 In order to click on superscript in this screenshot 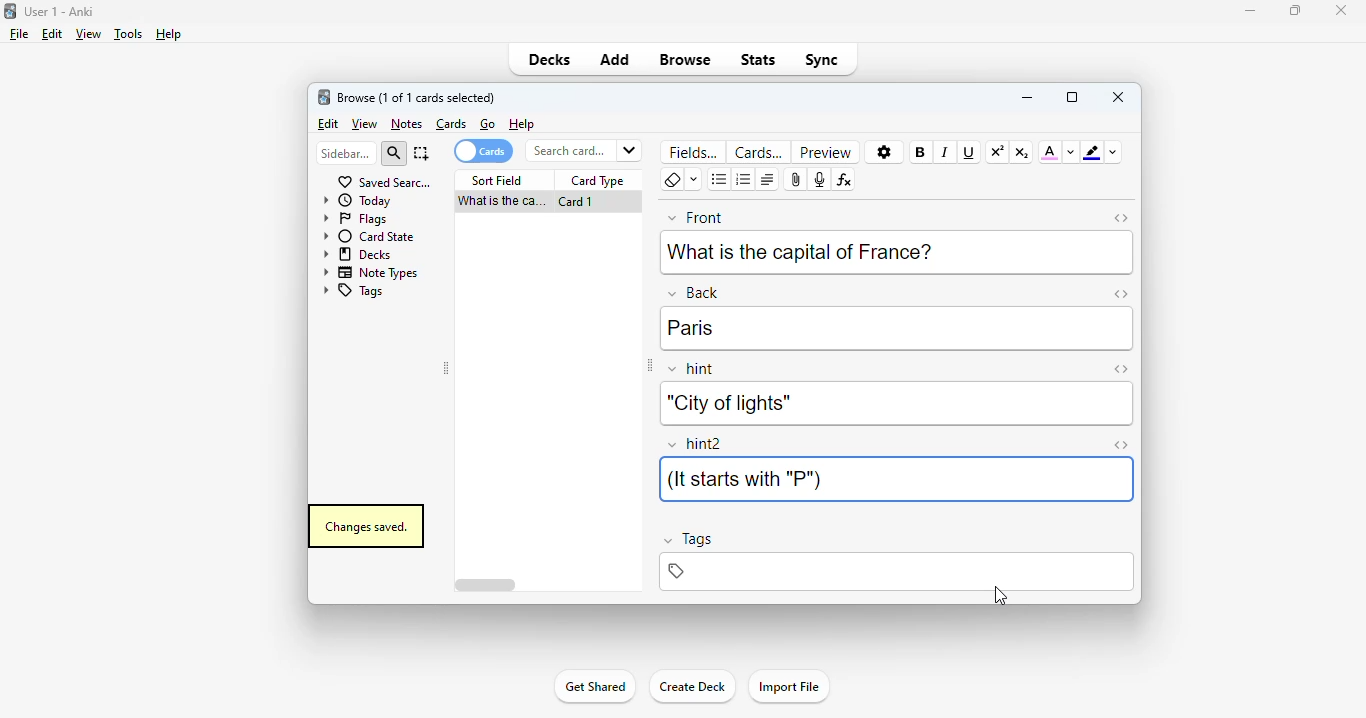, I will do `click(997, 152)`.